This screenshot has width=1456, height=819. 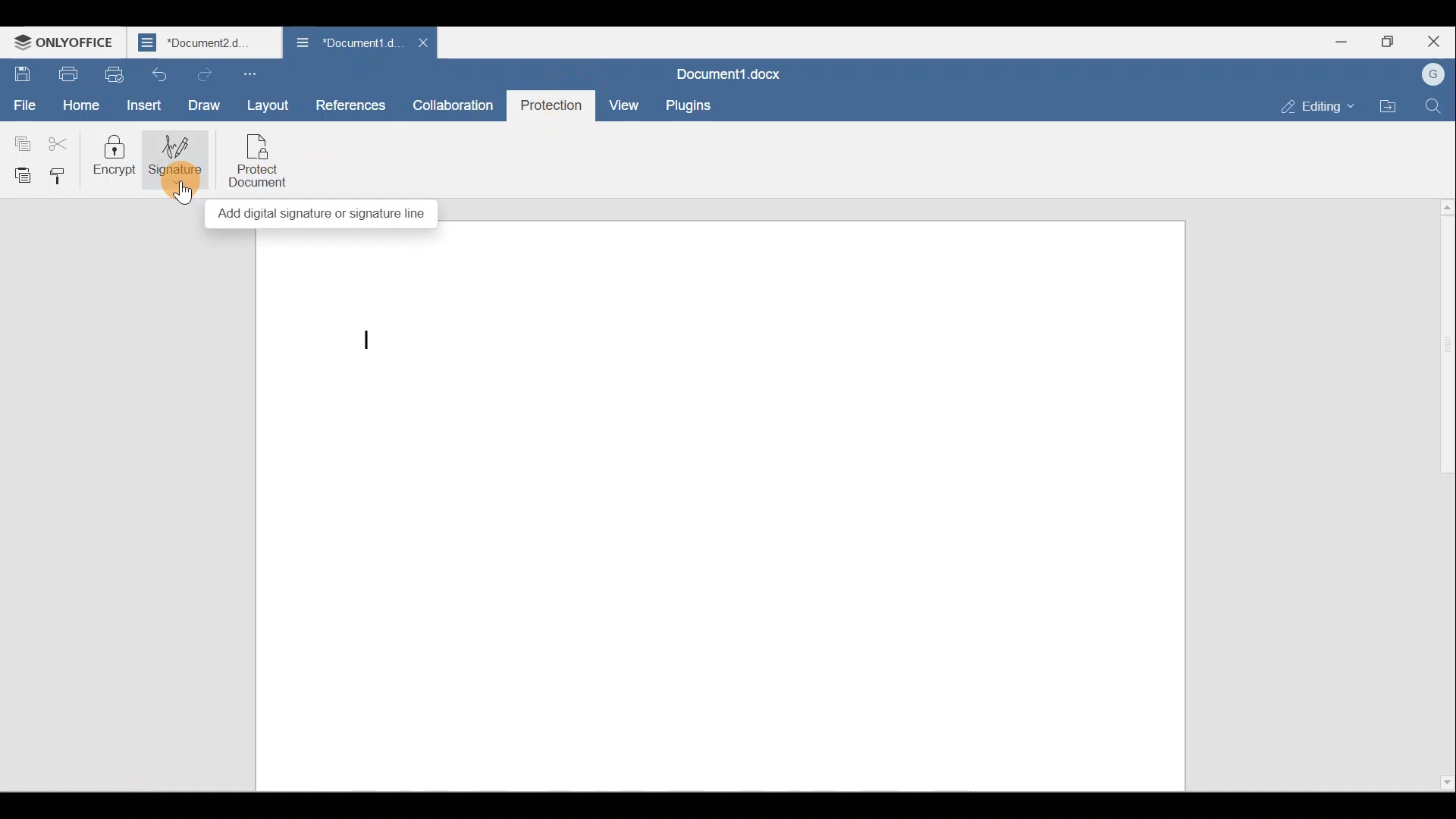 What do you see at coordinates (350, 105) in the screenshot?
I see `References` at bounding box center [350, 105].